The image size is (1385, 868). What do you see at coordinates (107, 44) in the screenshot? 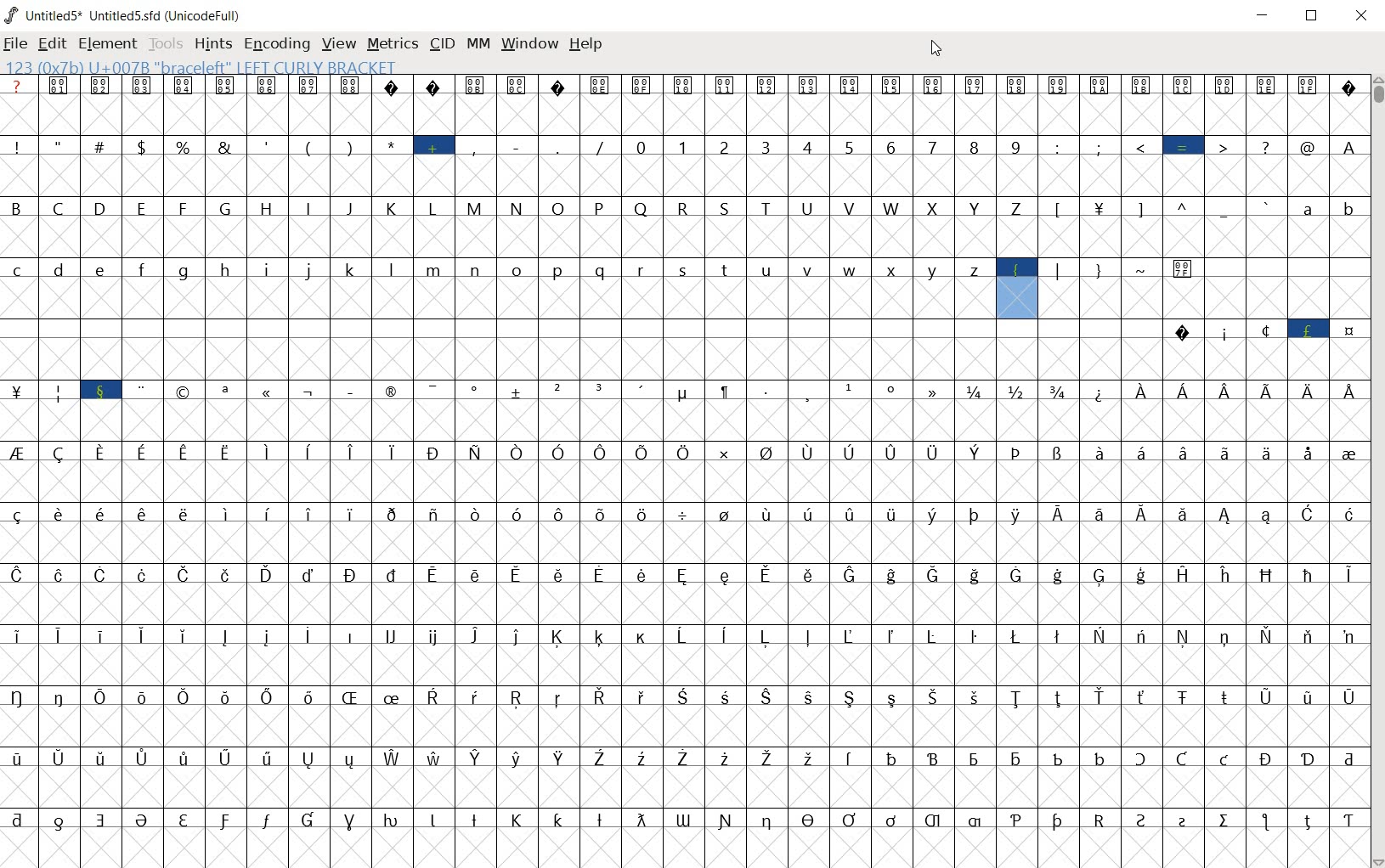
I see `ELEMENT` at bounding box center [107, 44].